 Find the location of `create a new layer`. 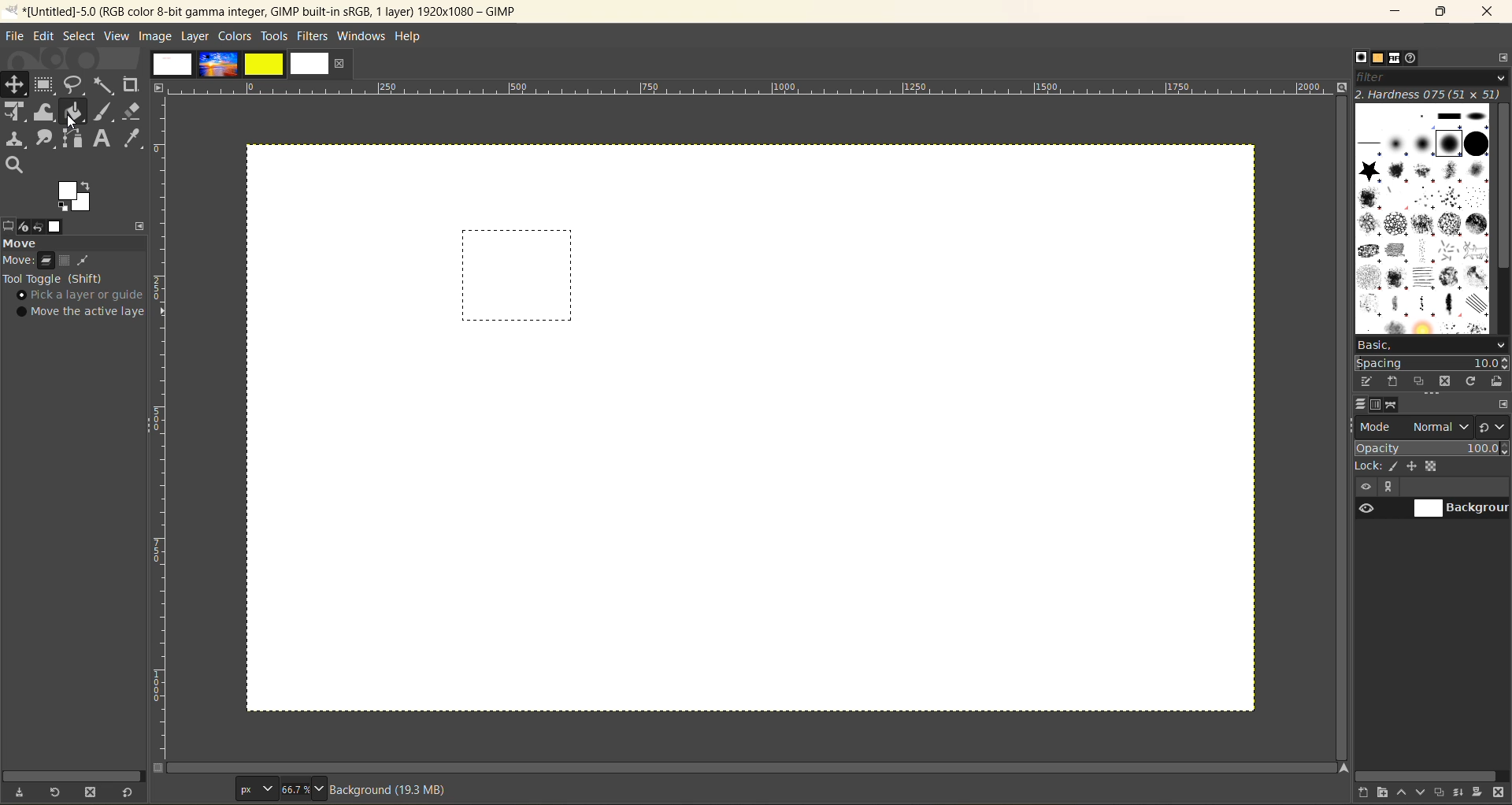

create a new layer is located at coordinates (1365, 793).